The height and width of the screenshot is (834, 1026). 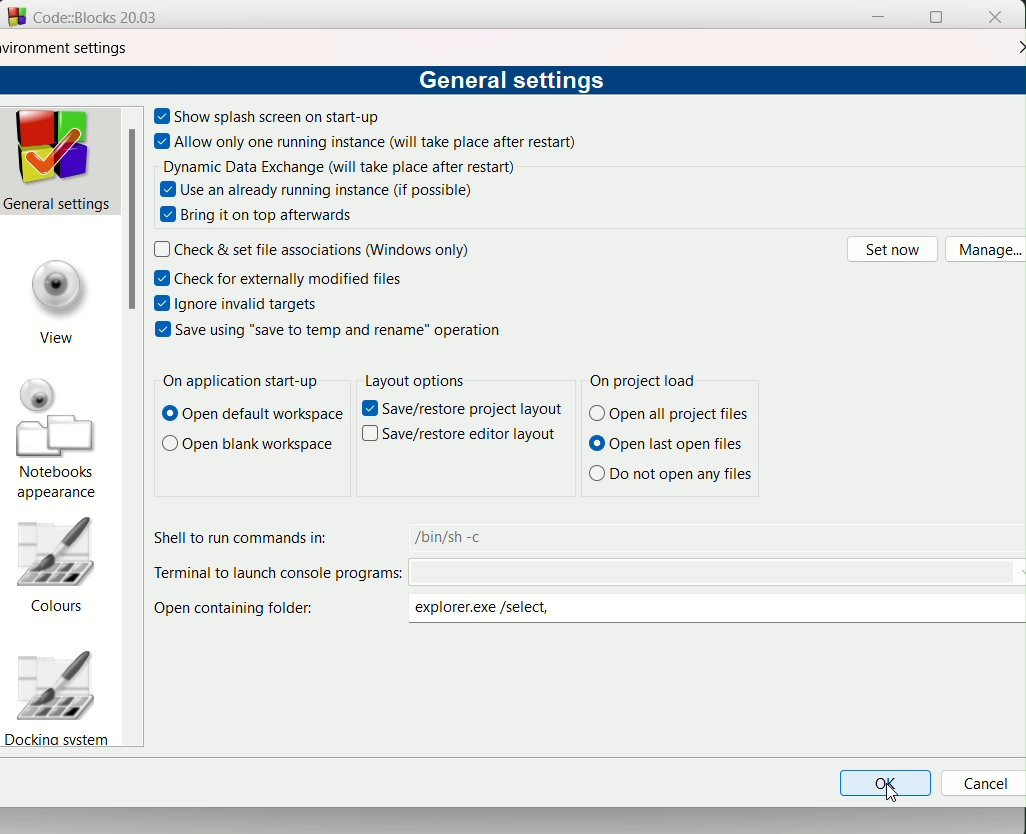 What do you see at coordinates (339, 329) in the screenshot?
I see `text` at bounding box center [339, 329].